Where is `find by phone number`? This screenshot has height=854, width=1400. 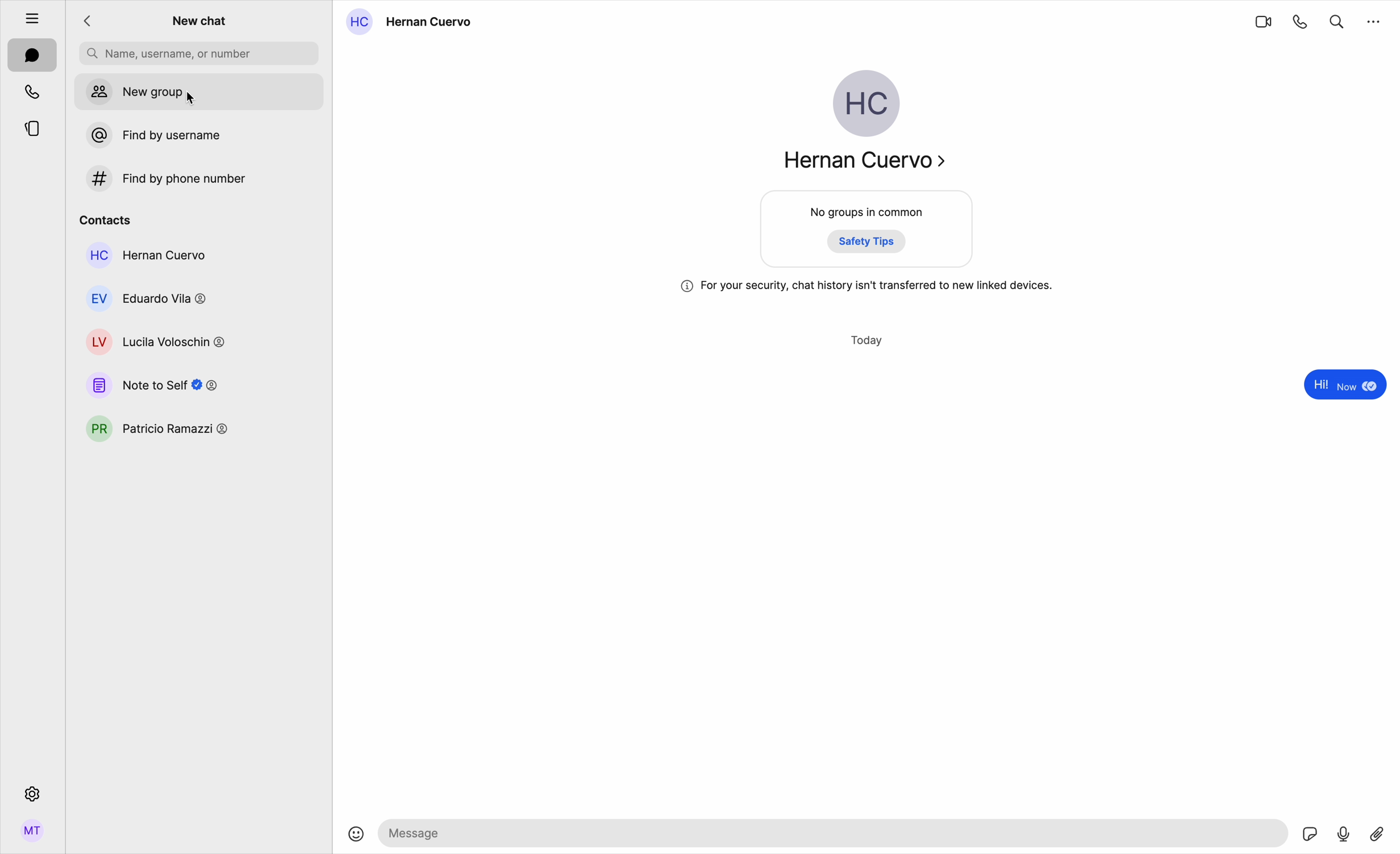 find by phone number is located at coordinates (162, 178).